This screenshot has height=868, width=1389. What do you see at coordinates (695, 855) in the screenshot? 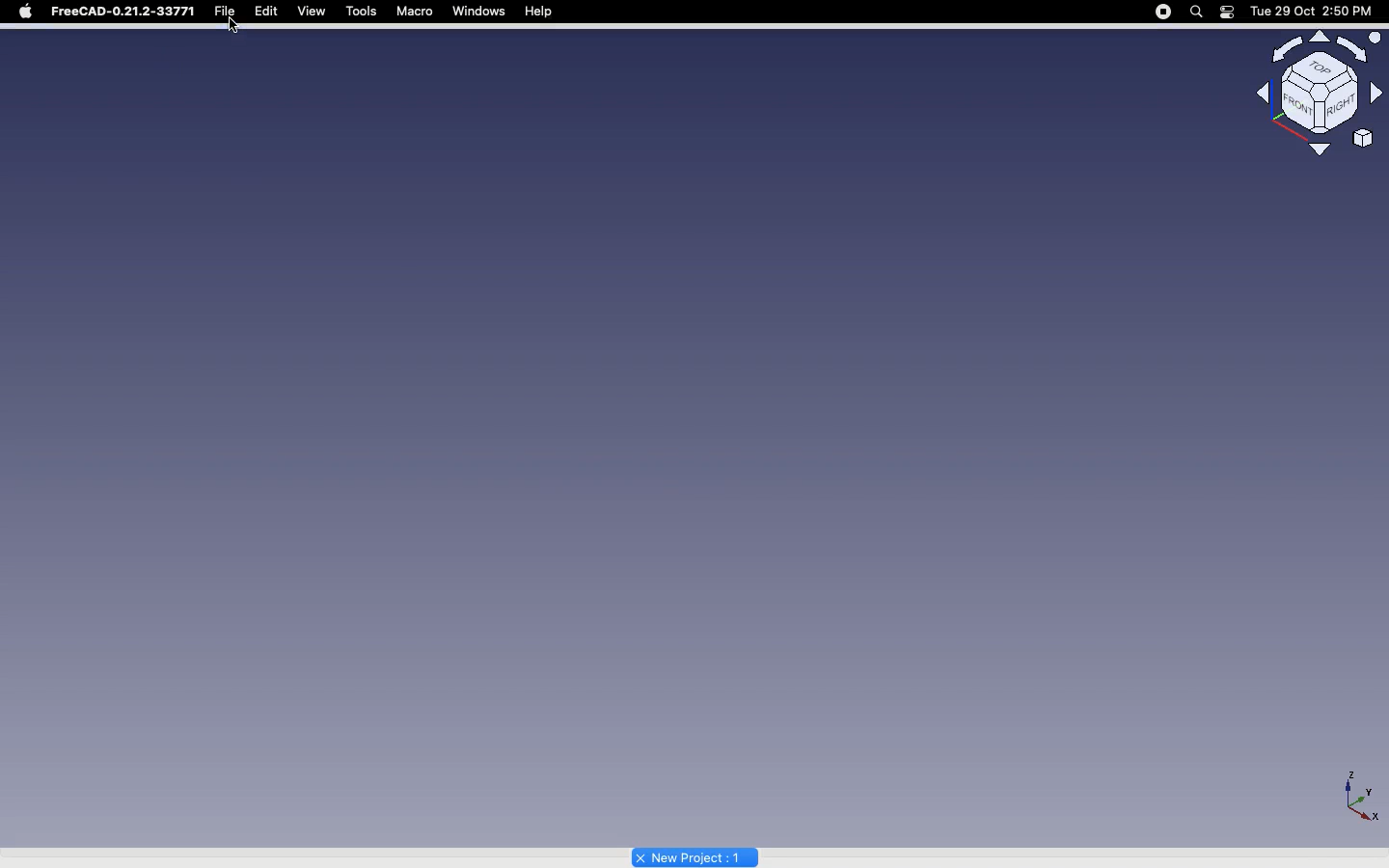
I see `Project name` at bounding box center [695, 855].